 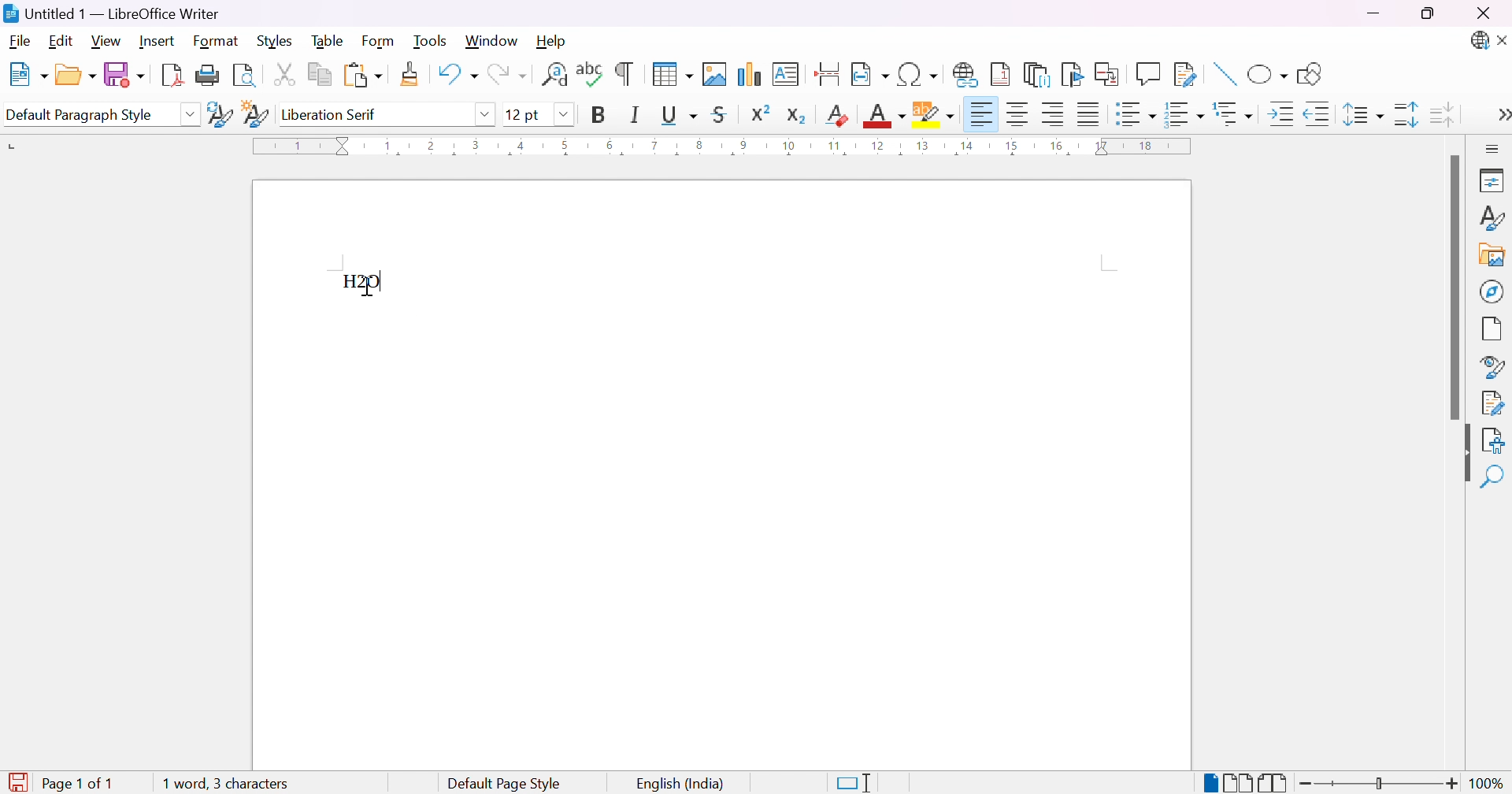 What do you see at coordinates (1460, 455) in the screenshot?
I see `Hide` at bounding box center [1460, 455].